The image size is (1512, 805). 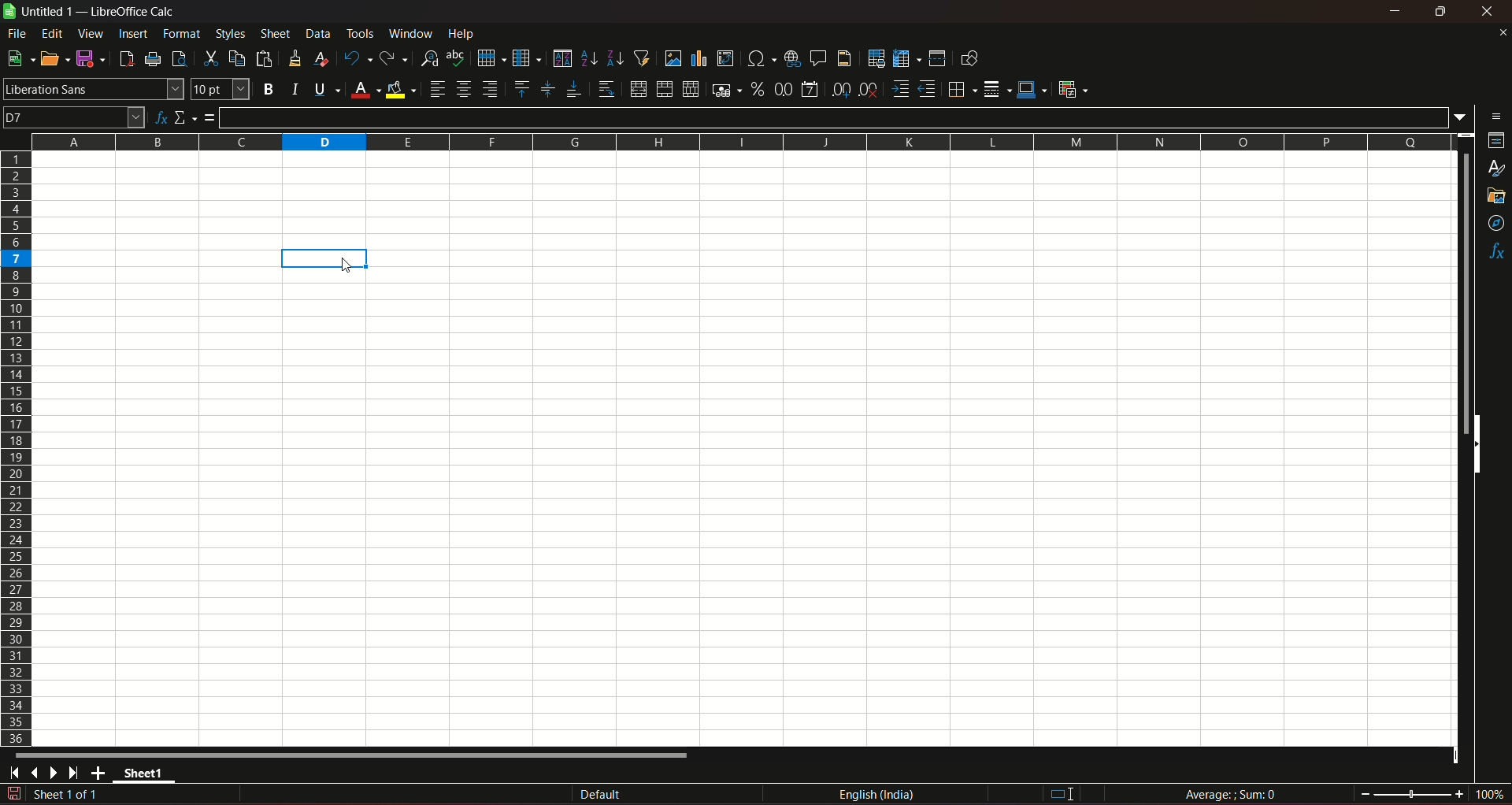 What do you see at coordinates (995, 90) in the screenshot?
I see `border styles` at bounding box center [995, 90].